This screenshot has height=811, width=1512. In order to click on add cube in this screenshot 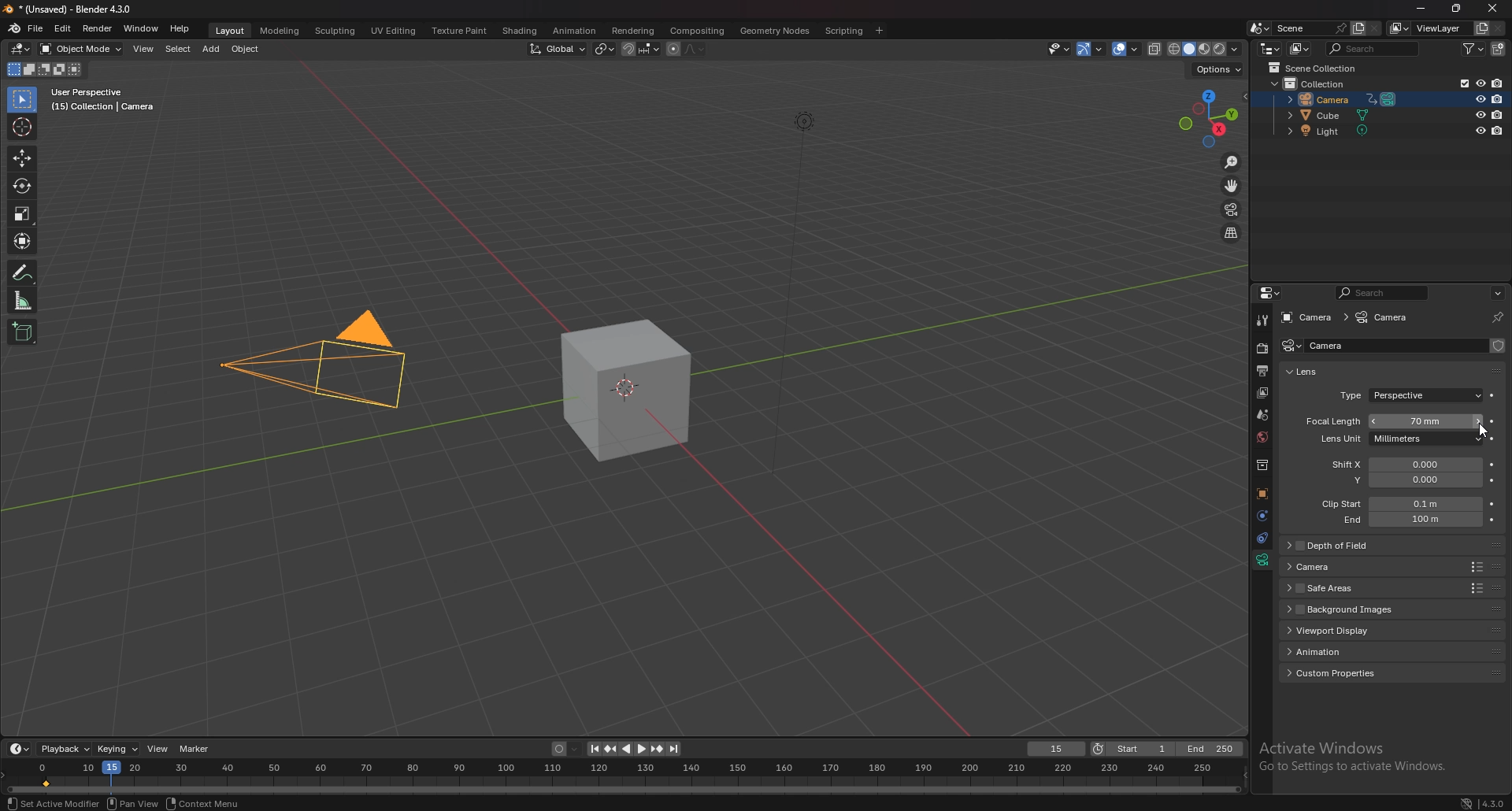, I will do `click(20, 332)`.